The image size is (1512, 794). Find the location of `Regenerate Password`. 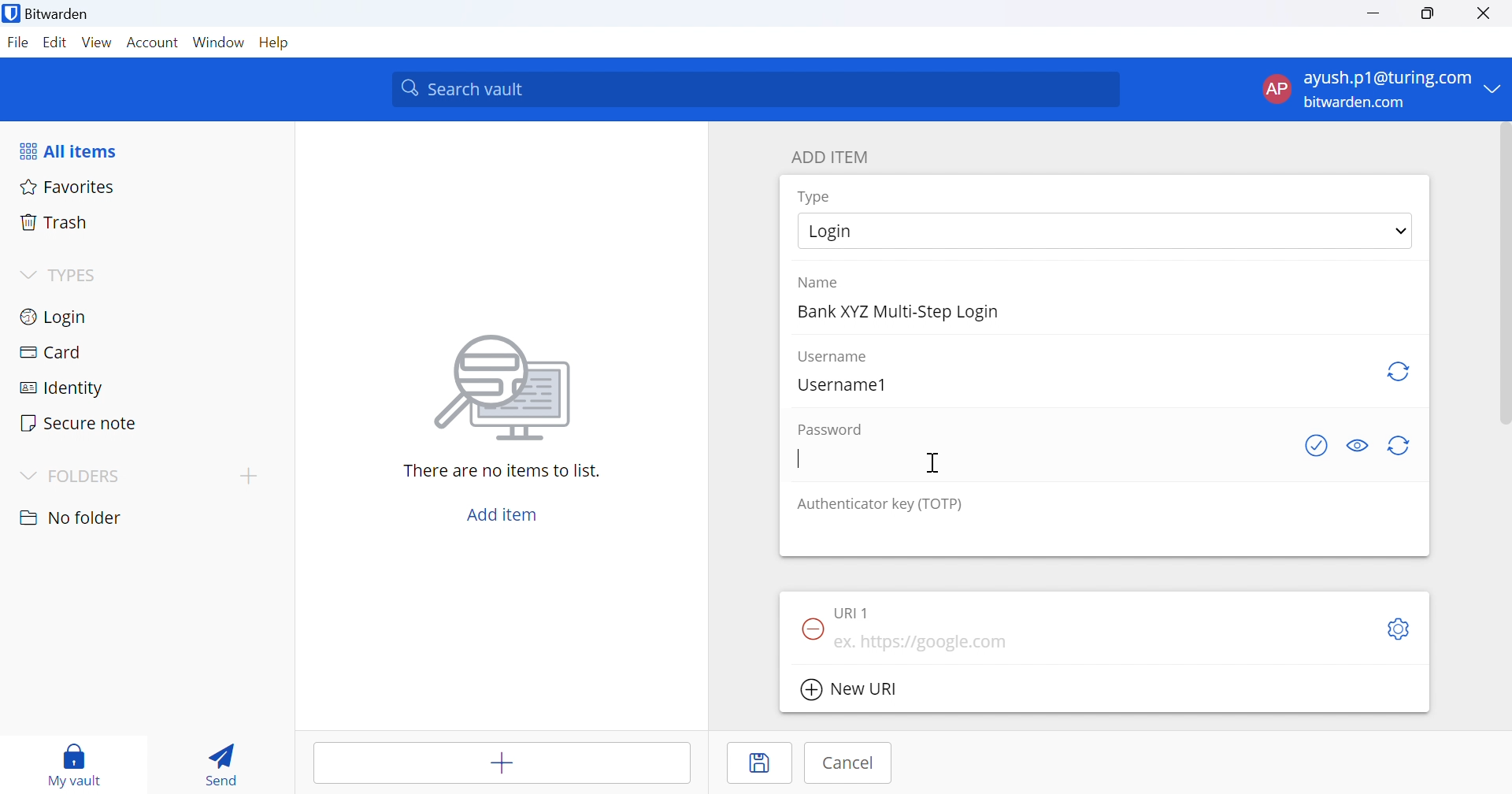

Regenerate Password is located at coordinates (1402, 445).